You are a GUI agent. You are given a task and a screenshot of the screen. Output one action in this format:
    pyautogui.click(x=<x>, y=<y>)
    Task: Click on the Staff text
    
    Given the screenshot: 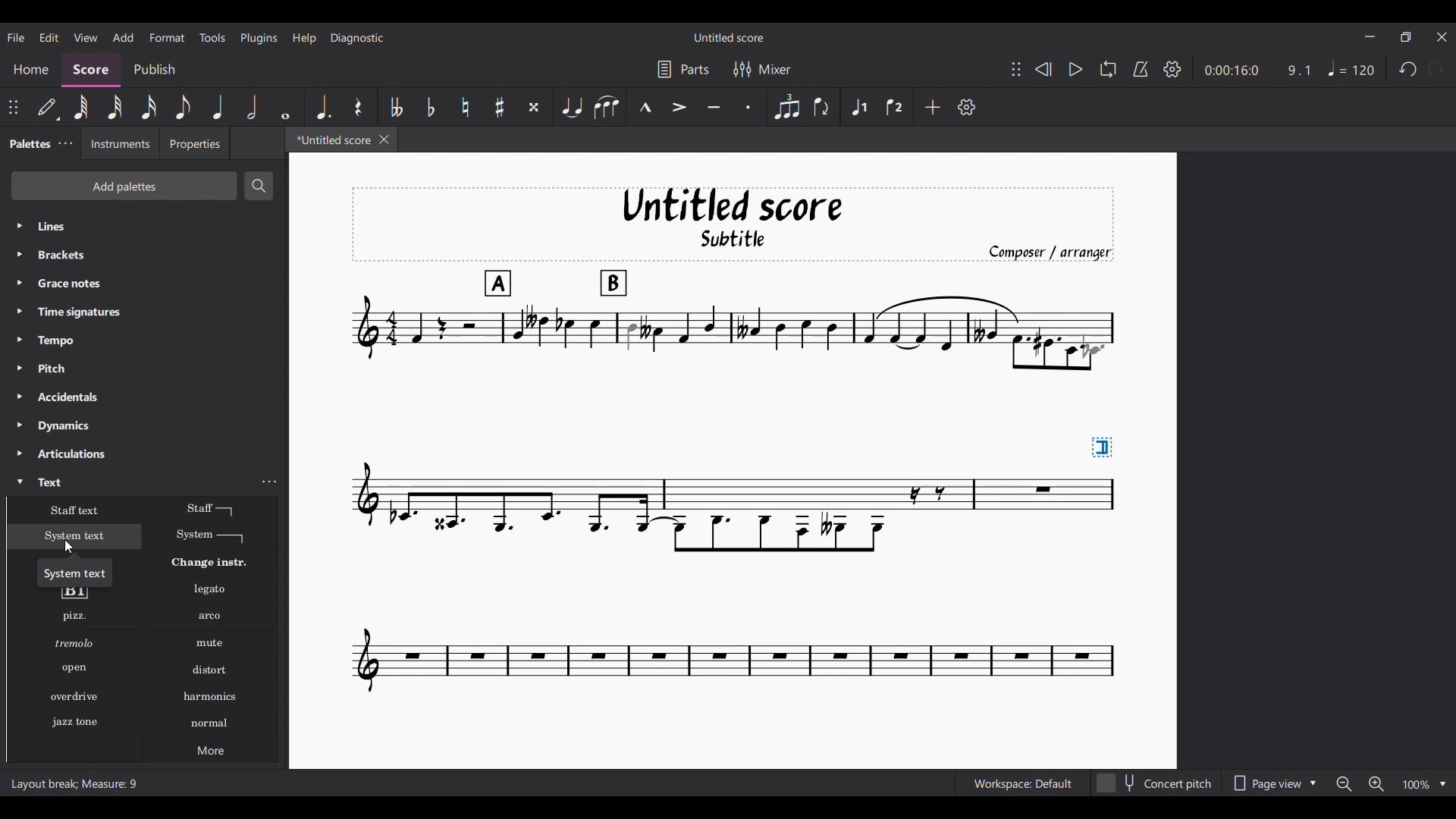 What is the action you would take?
    pyautogui.click(x=75, y=510)
    